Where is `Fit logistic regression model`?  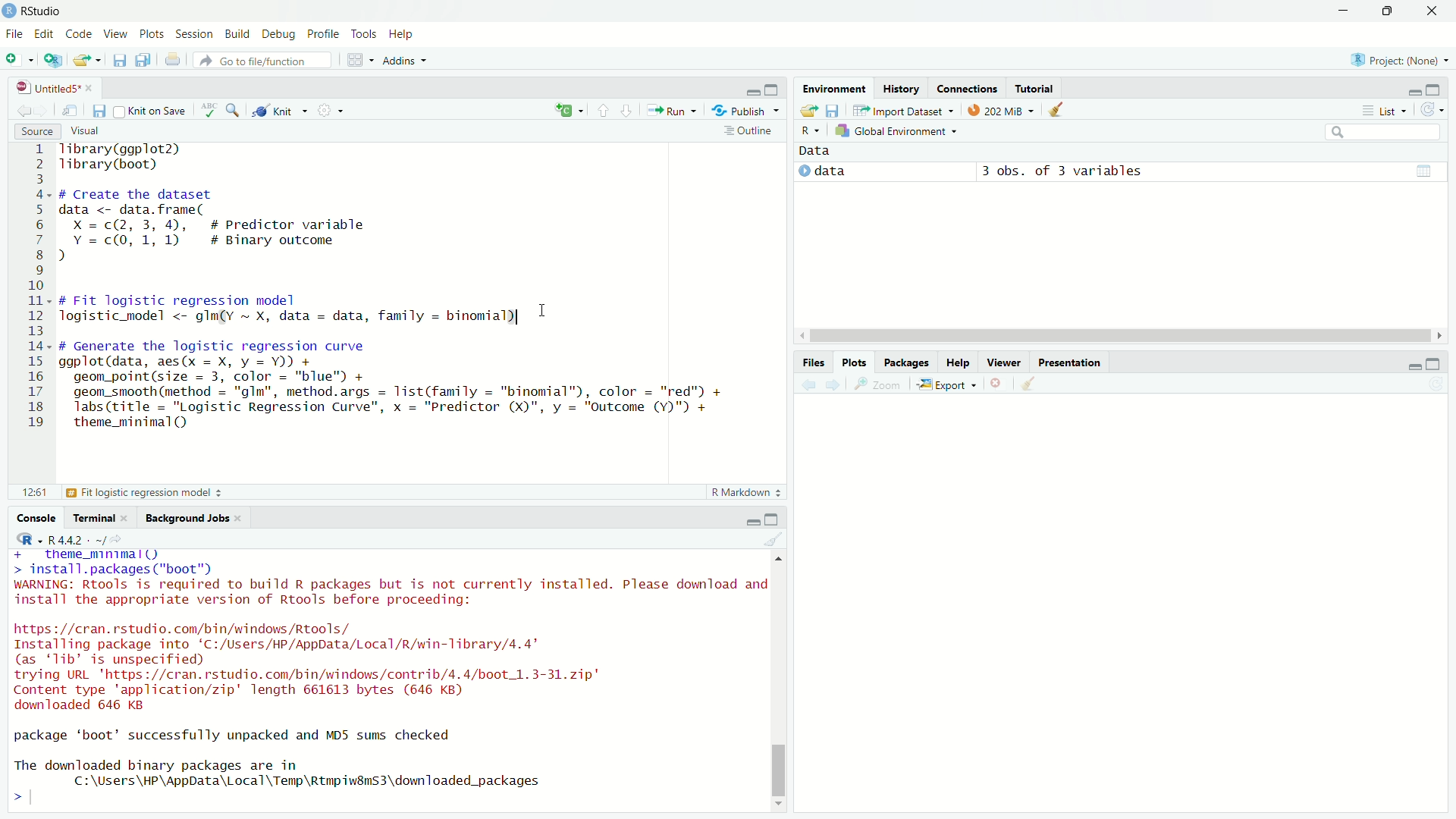 Fit logistic regression model is located at coordinates (145, 491).